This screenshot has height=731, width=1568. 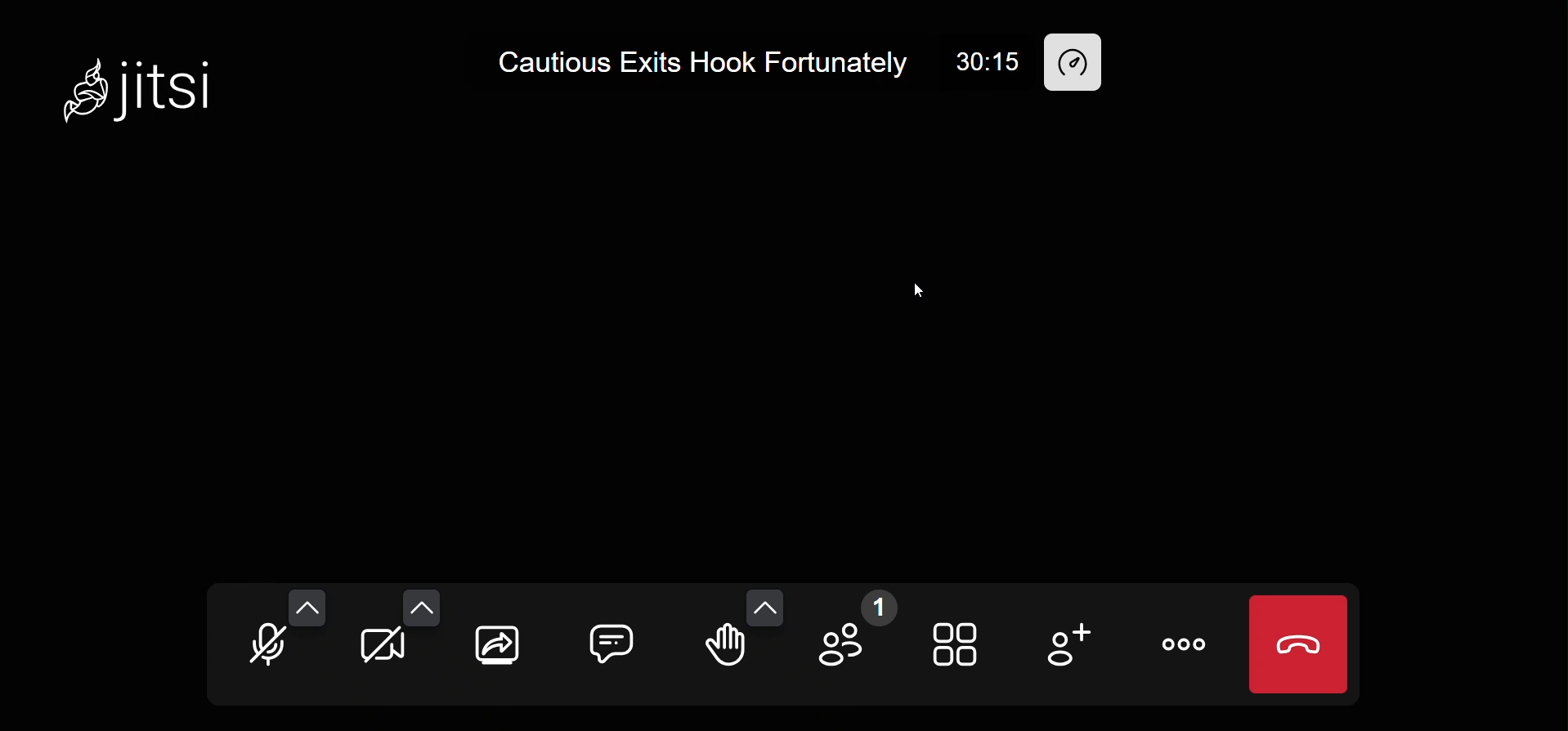 What do you see at coordinates (729, 648) in the screenshot?
I see `raise hand` at bounding box center [729, 648].